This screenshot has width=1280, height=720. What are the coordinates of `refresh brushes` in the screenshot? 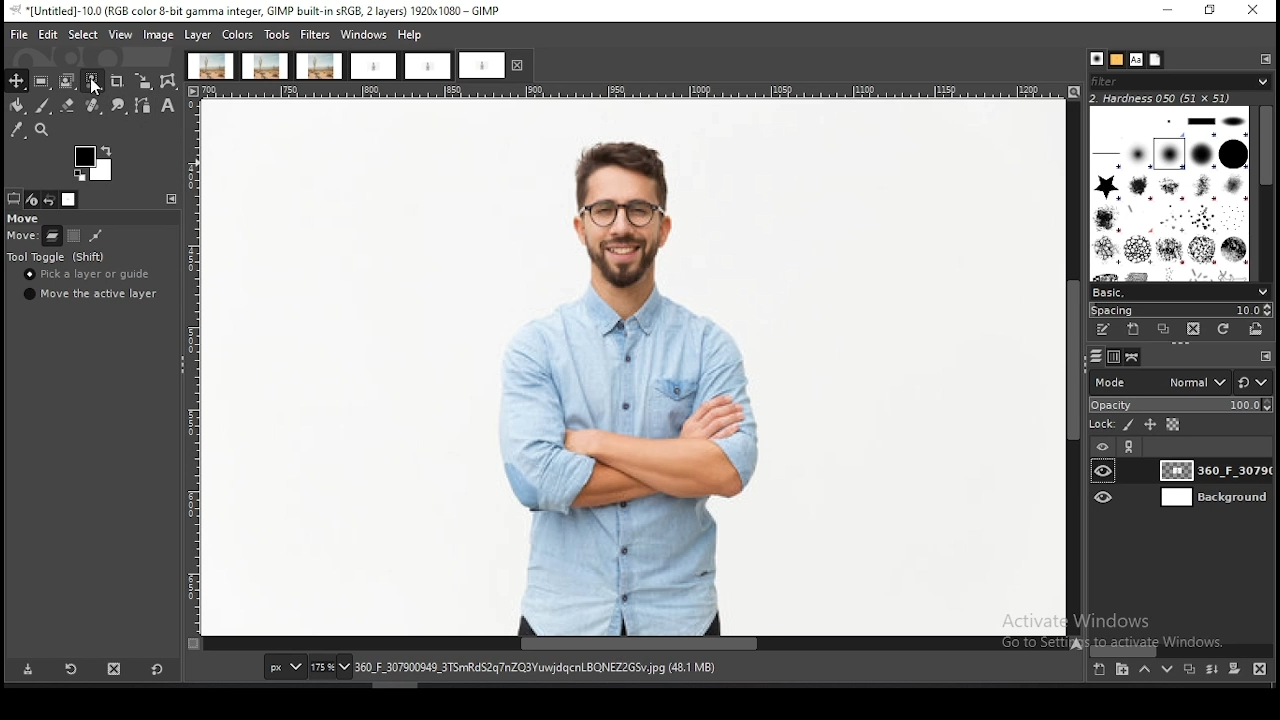 It's located at (1221, 330).